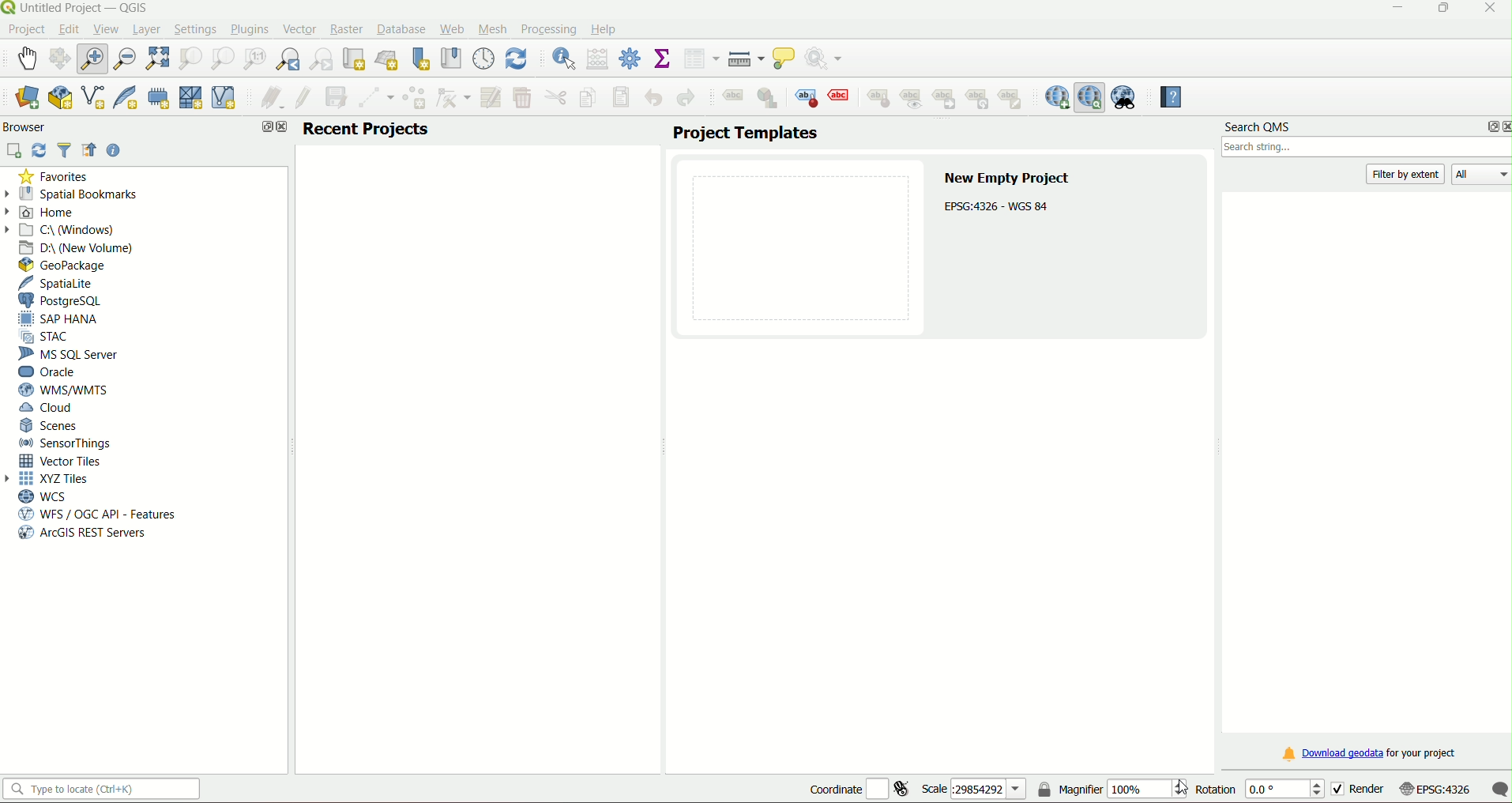 The image size is (1512, 803). Describe the element at coordinates (389, 58) in the screenshot. I see `new 3D map view` at that location.